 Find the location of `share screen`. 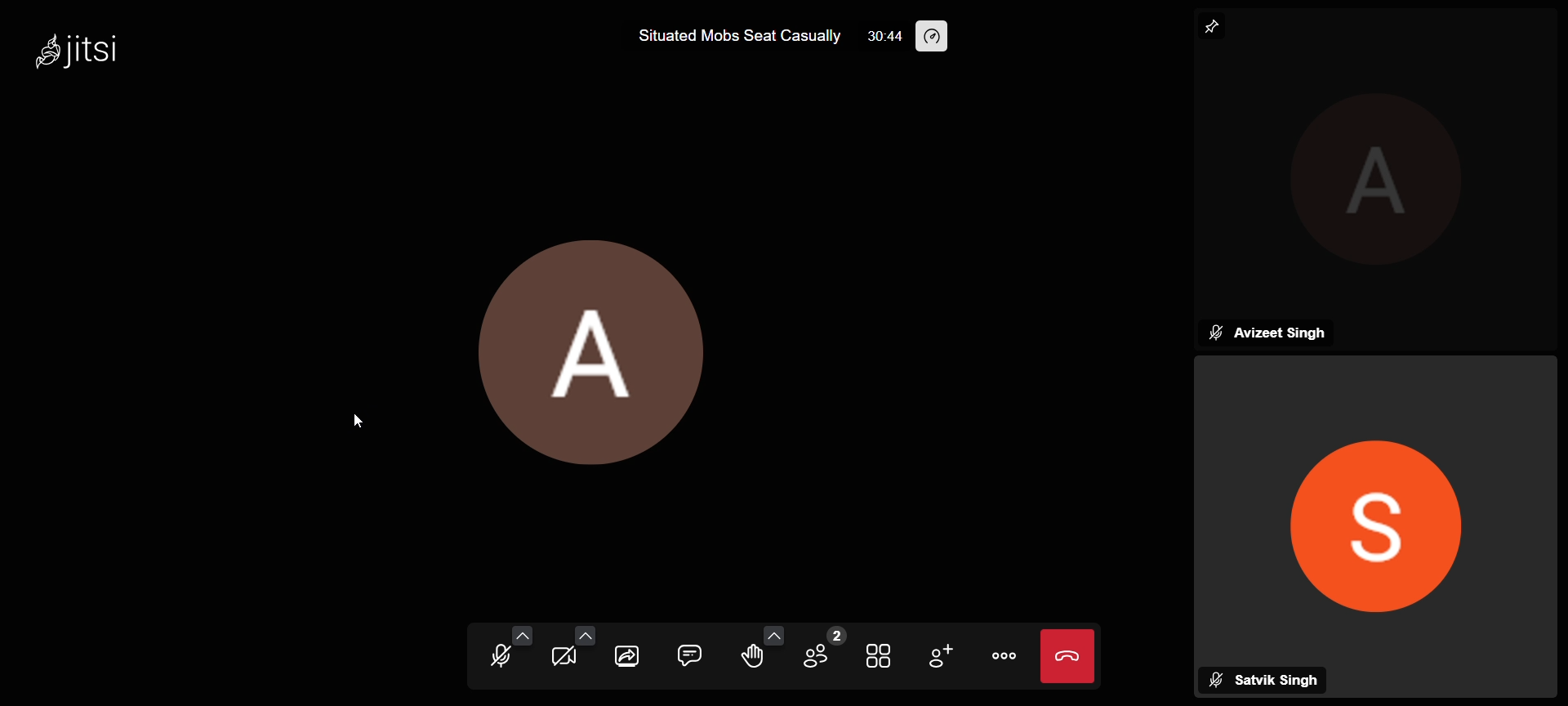

share screen is located at coordinates (627, 659).